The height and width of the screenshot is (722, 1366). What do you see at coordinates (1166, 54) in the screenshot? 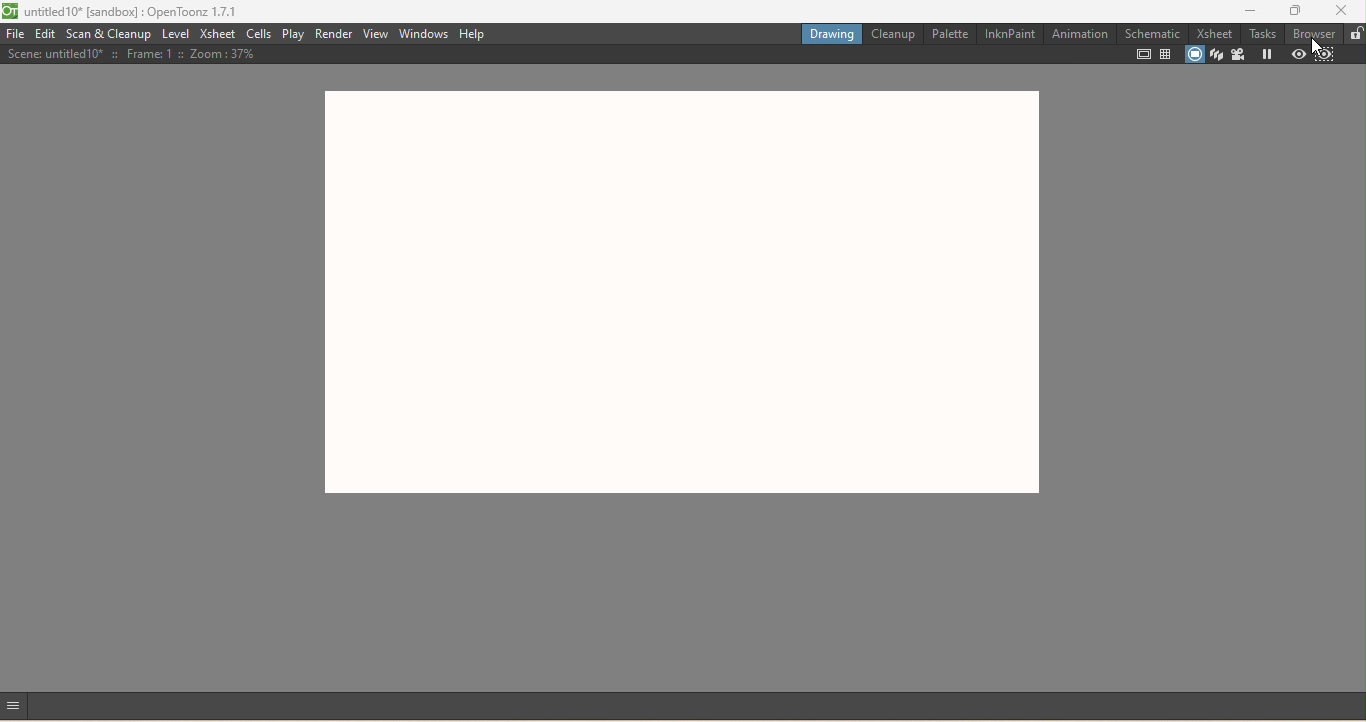
I see `field guide` at bounding box center [1166, 54].